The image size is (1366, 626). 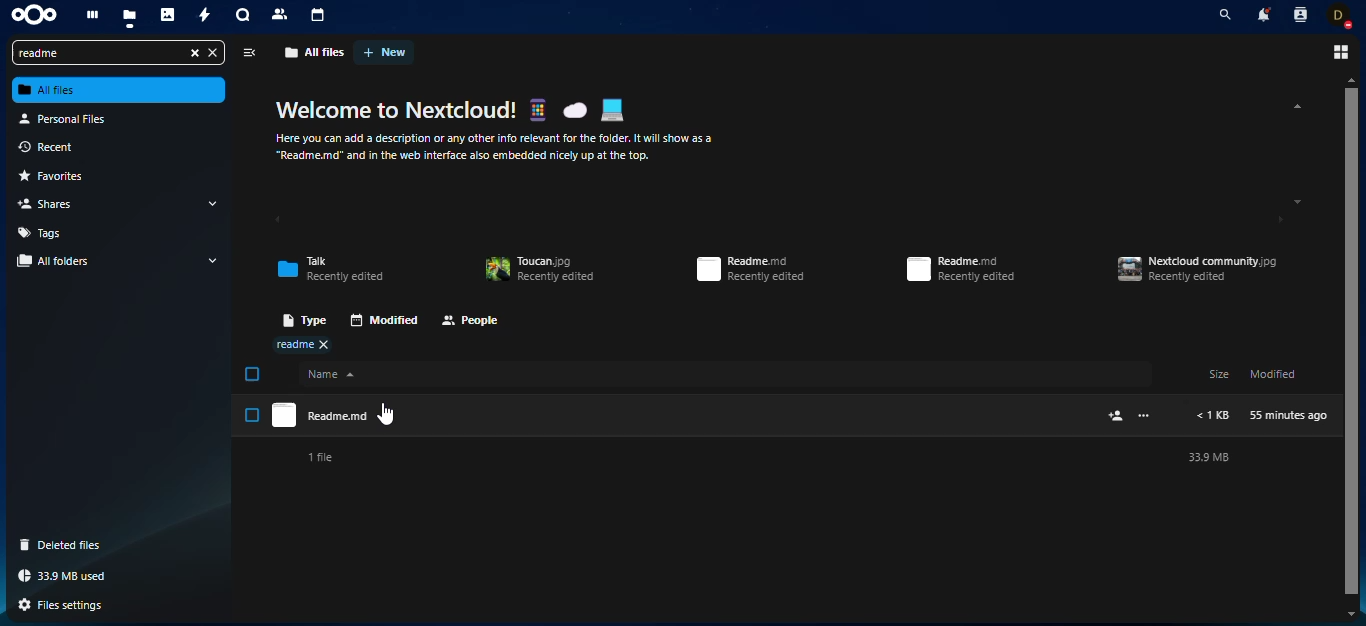 What do you see at coordinates (44, 232) in the screenshot?
I see `tags` at bounding box center [44, 232].